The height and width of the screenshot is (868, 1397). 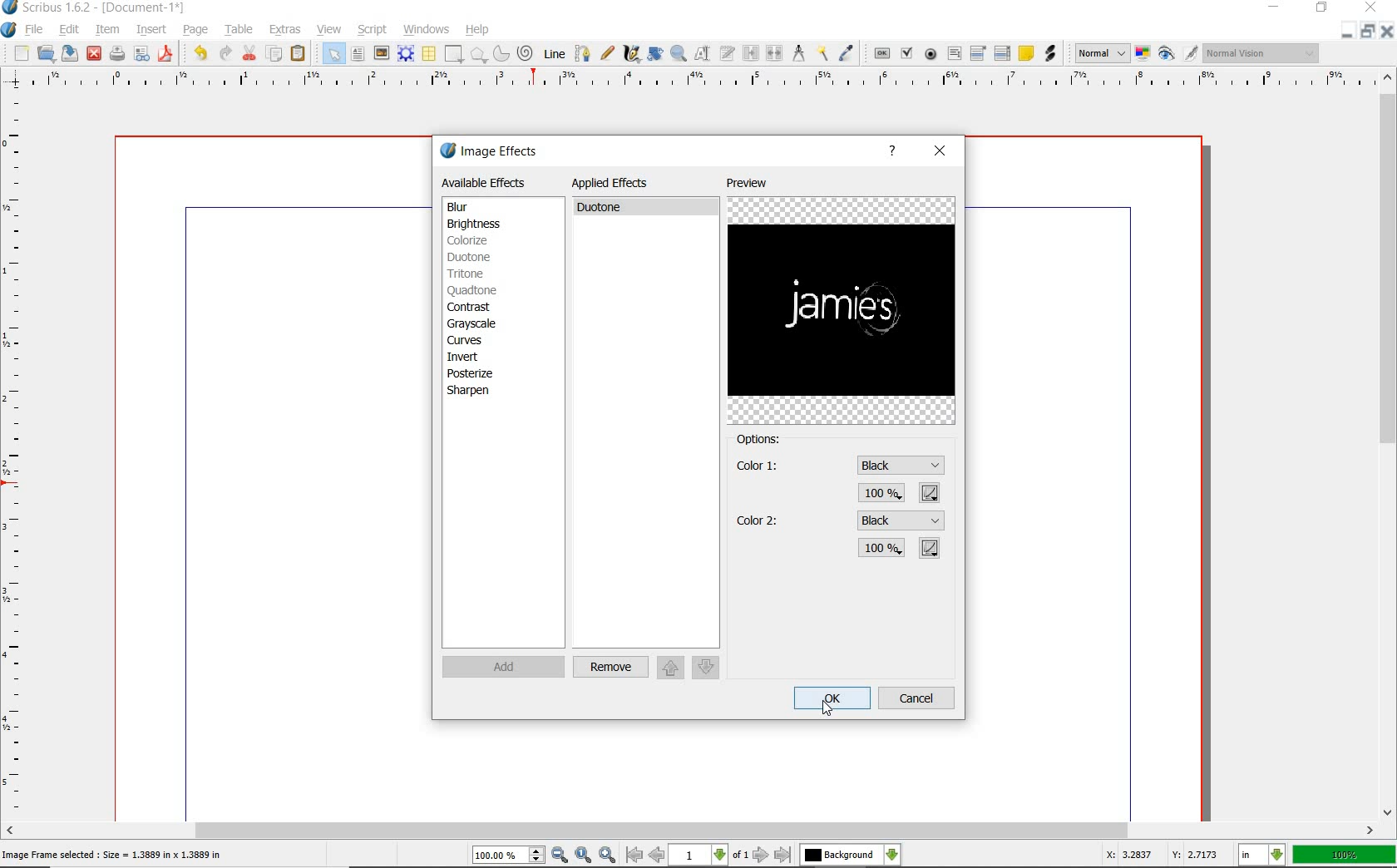 What do you see at coordinates (727, 52) in the screenshot?
I see `edit text with story editor` at bounding box center [727, 52].